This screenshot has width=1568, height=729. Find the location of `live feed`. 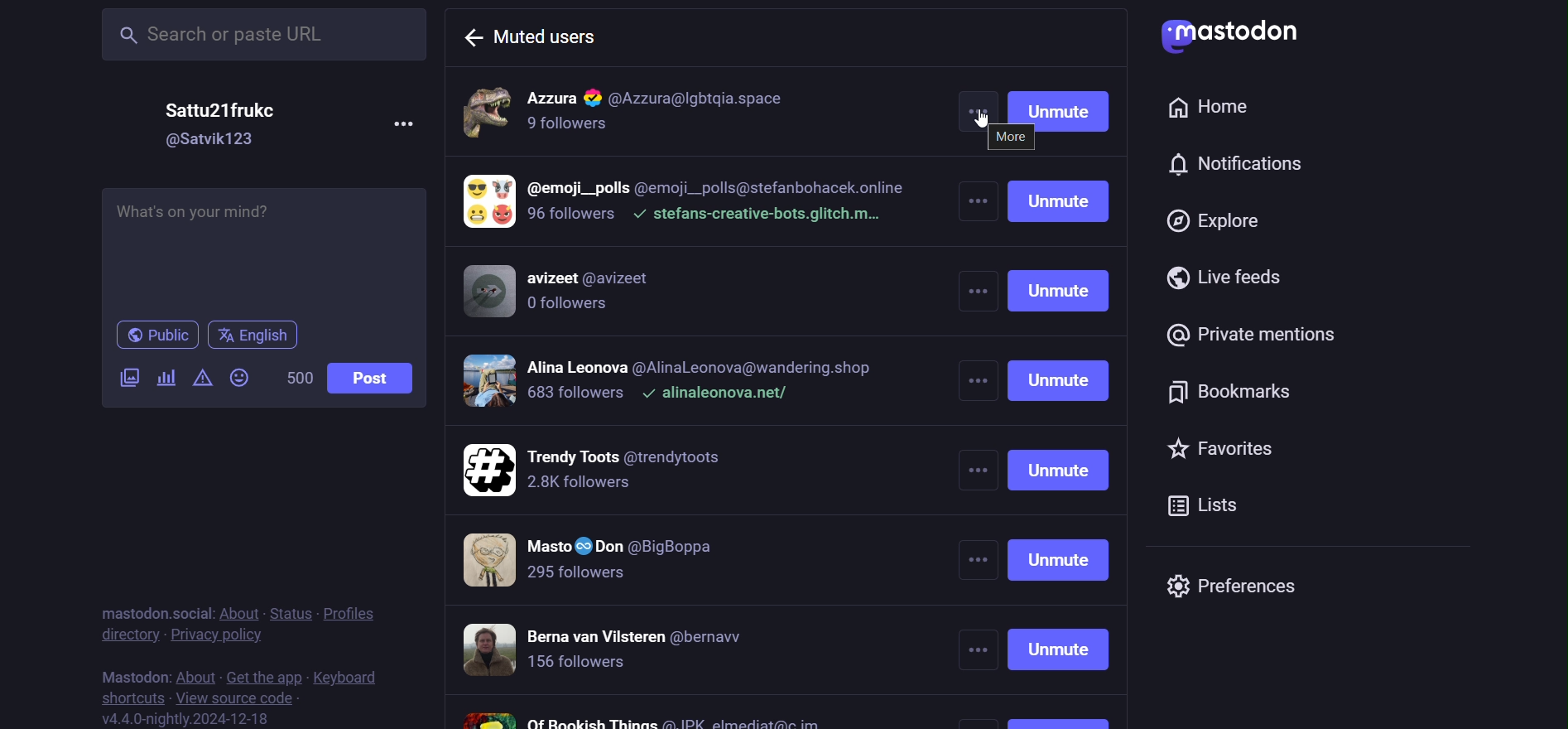

live feed is located at coordinates (1227, 277).